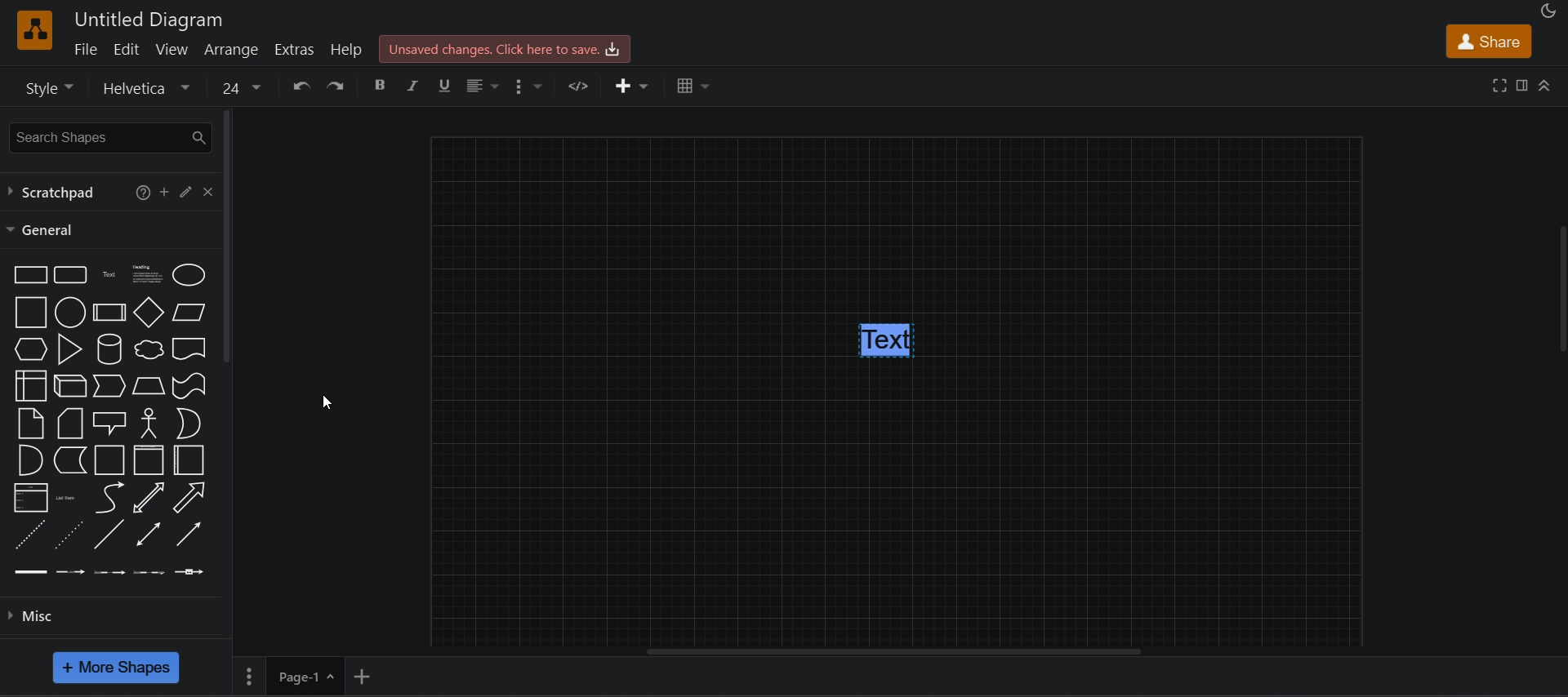 This screenshot has height=697, width=1568. Describe the element at coordinates (189, 535) in the screenshot. I see `Directional connector` at that location.